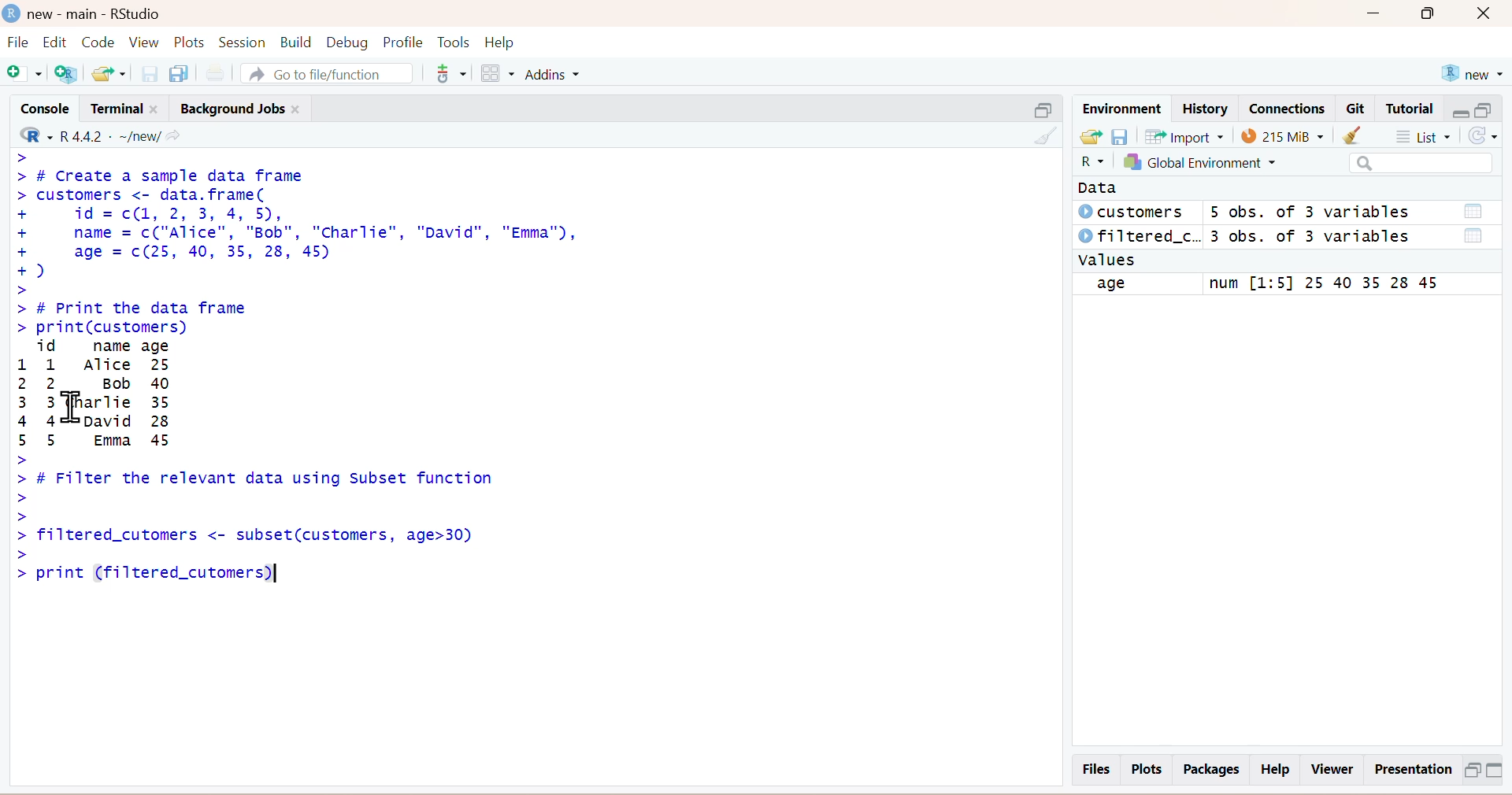 The width and height of the screenshot is (1512, 795). I want to click on age num [1:5] 25 40 35 28 45, so click(1274, 284).